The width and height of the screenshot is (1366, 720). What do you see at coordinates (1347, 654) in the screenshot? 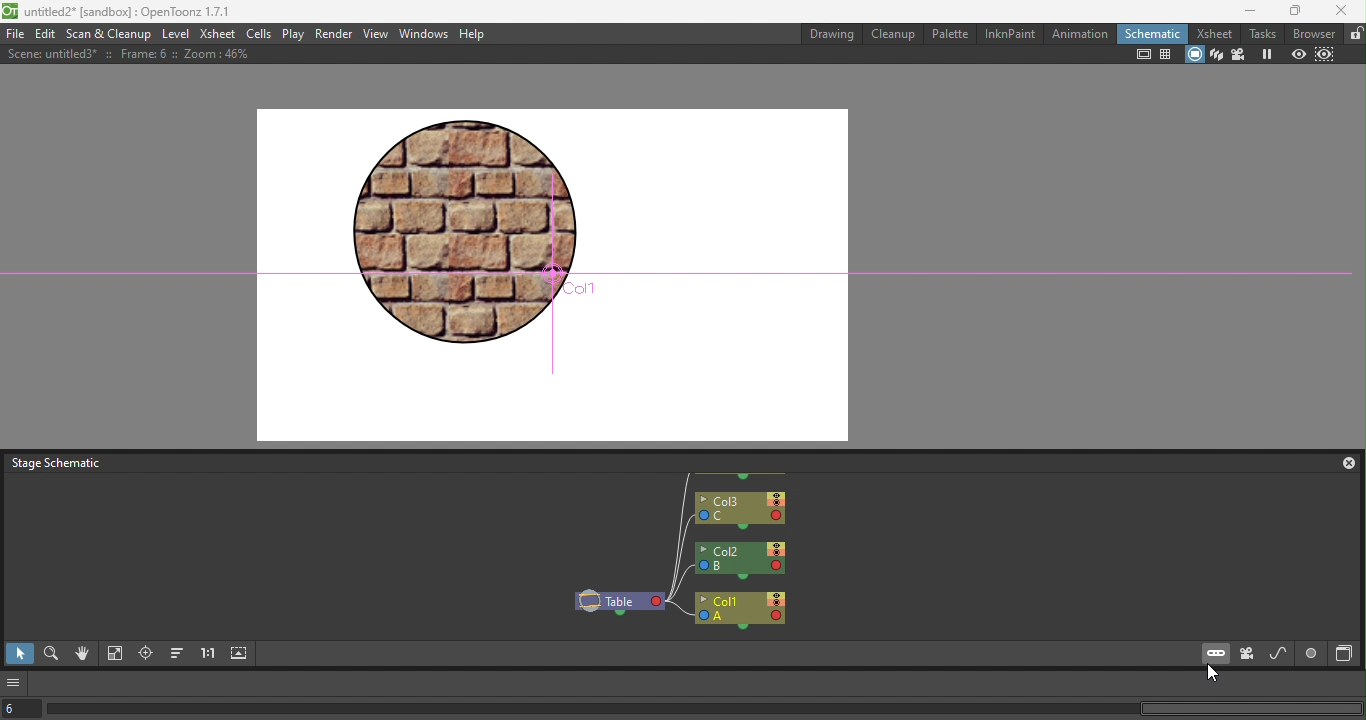
I see `Toggle Fx/Stage Schematic` at bounding box center [1347, 654].